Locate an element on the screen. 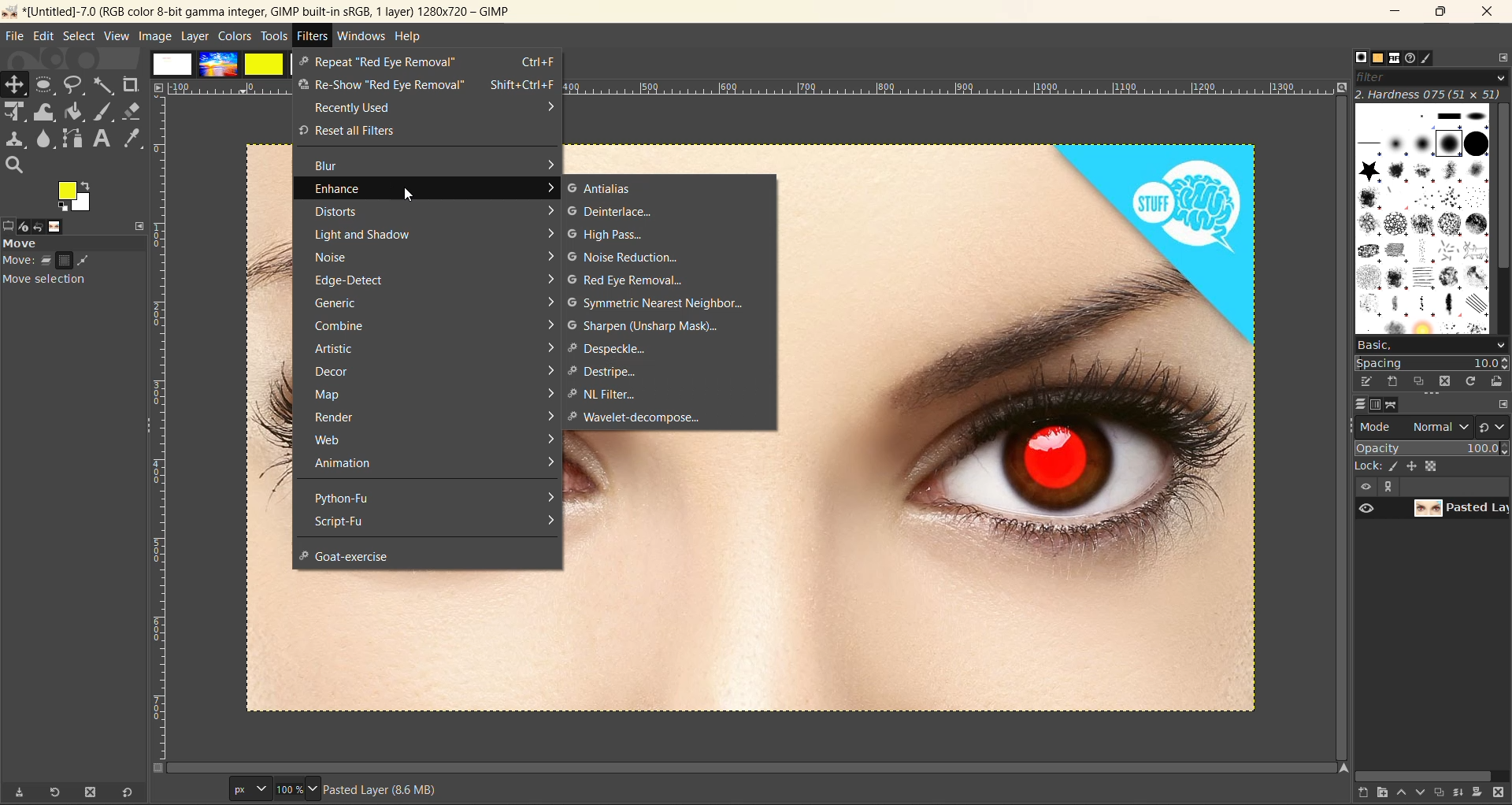  save tool preset is located at coordinates (19, 794).